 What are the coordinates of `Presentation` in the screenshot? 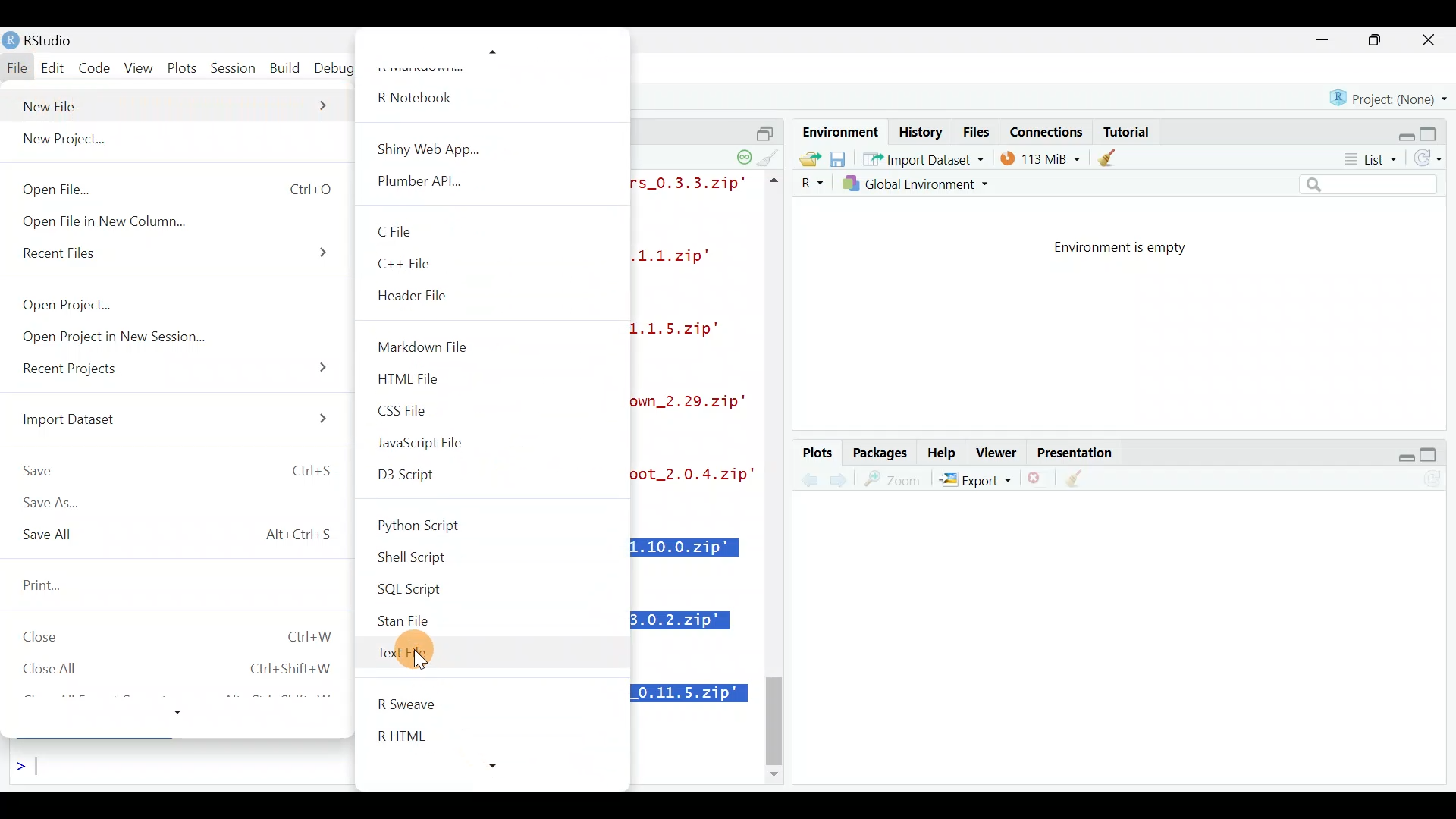 It's located at (1078, 453).